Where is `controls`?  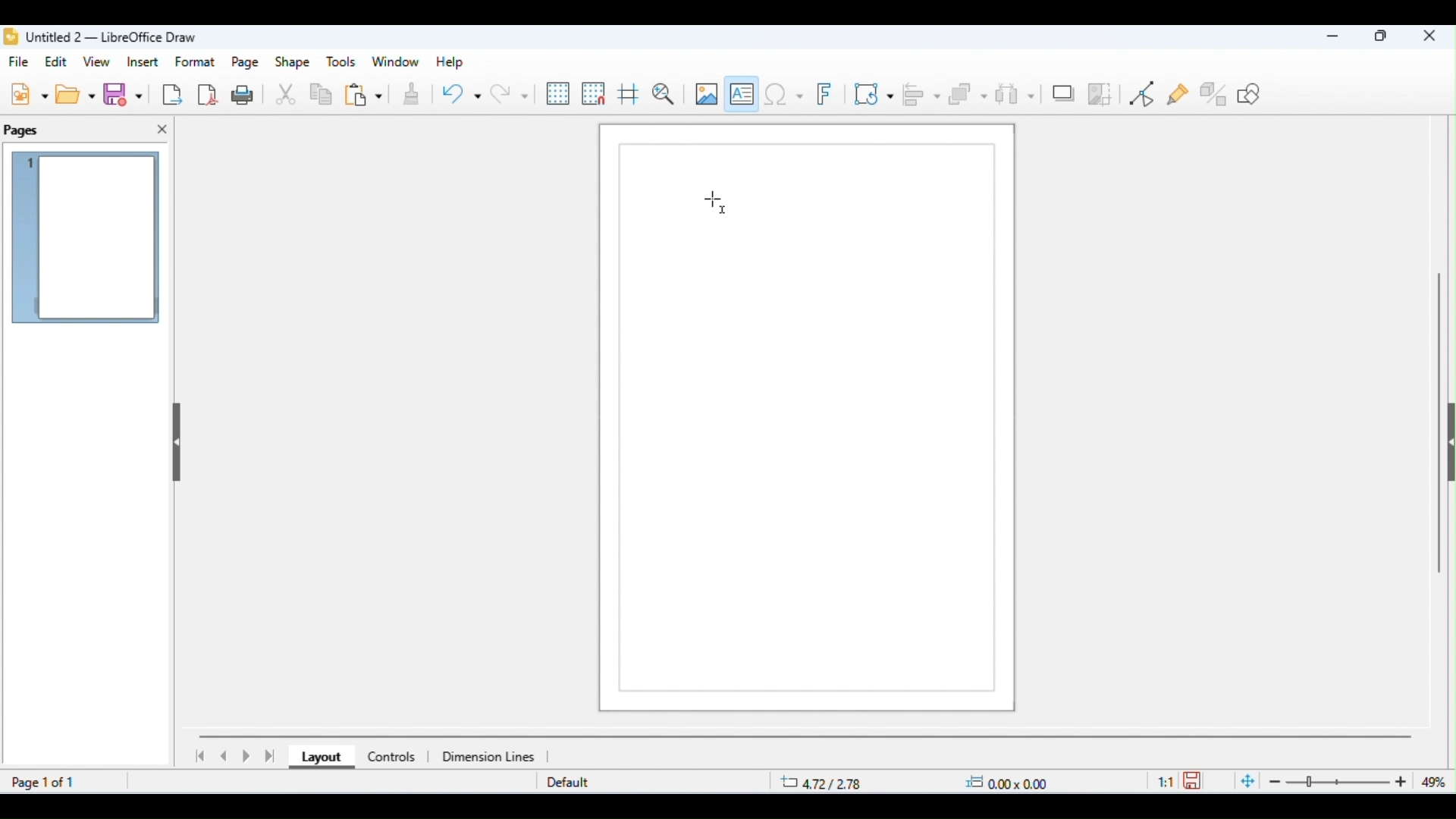 controls is located at coordinates (391, 757).